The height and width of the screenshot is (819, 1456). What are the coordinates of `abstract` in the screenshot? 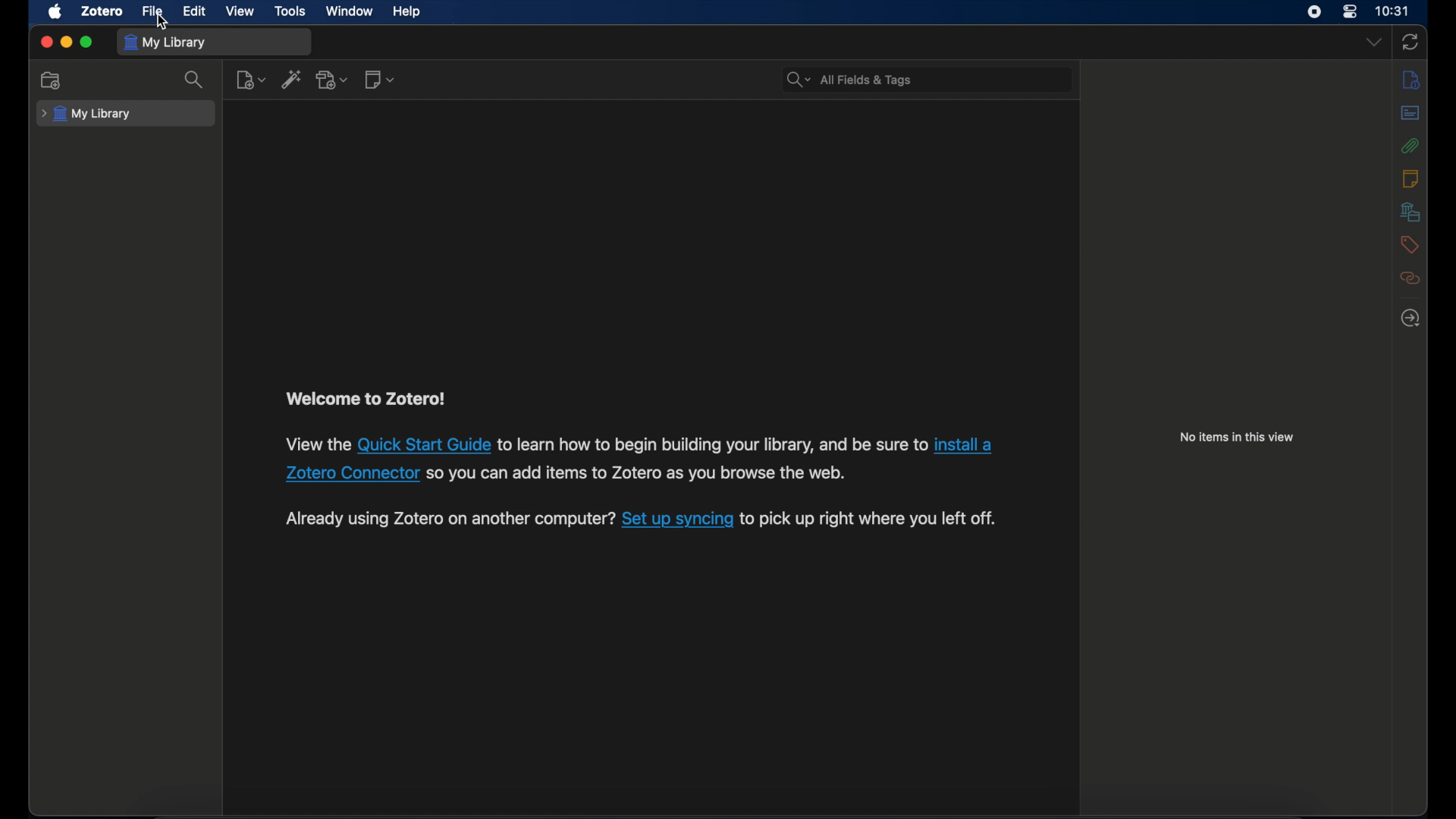 It's located at (1410, 113).